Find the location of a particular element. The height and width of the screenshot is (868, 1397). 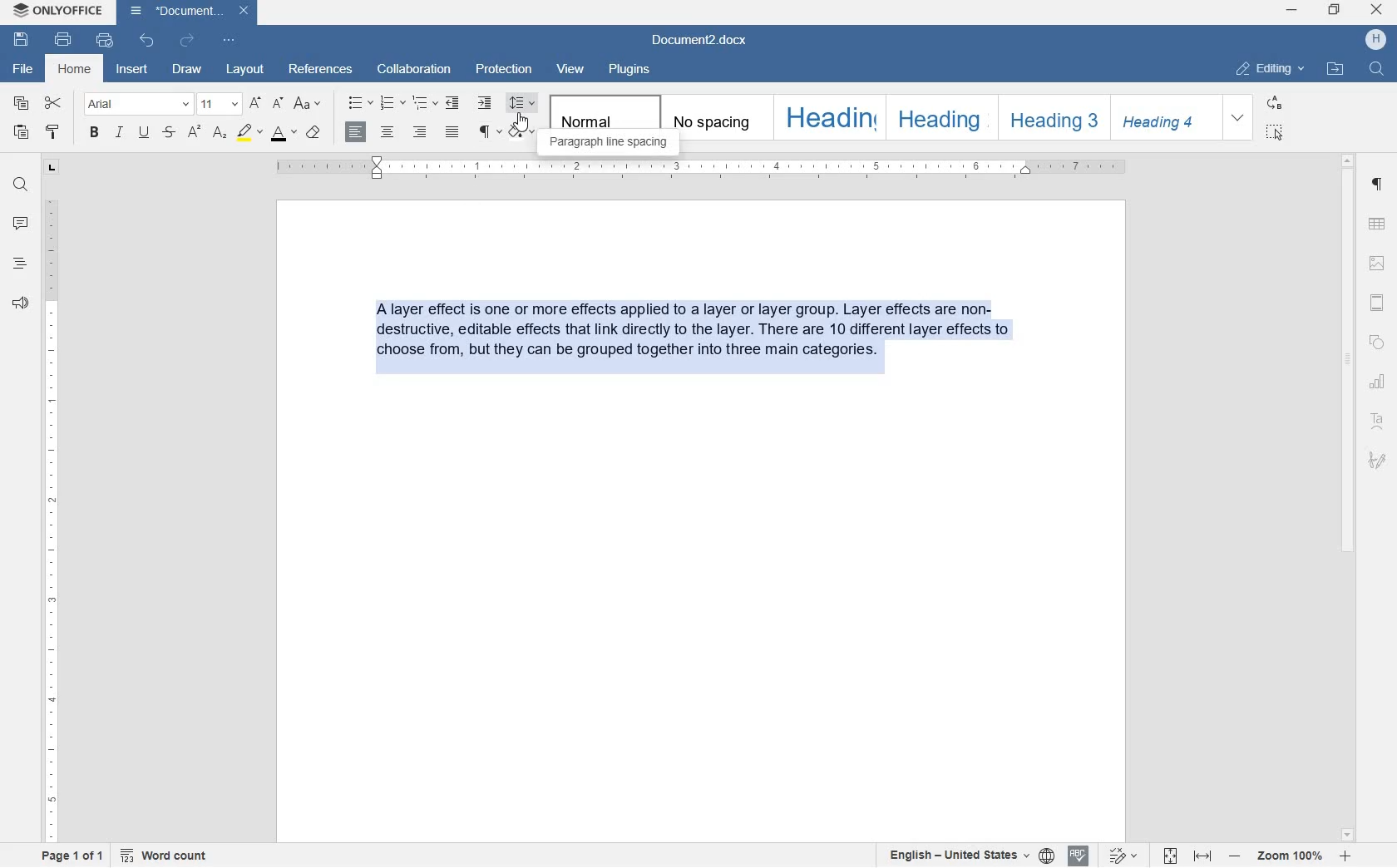

heading 2 is located at coordinates (940, 117).